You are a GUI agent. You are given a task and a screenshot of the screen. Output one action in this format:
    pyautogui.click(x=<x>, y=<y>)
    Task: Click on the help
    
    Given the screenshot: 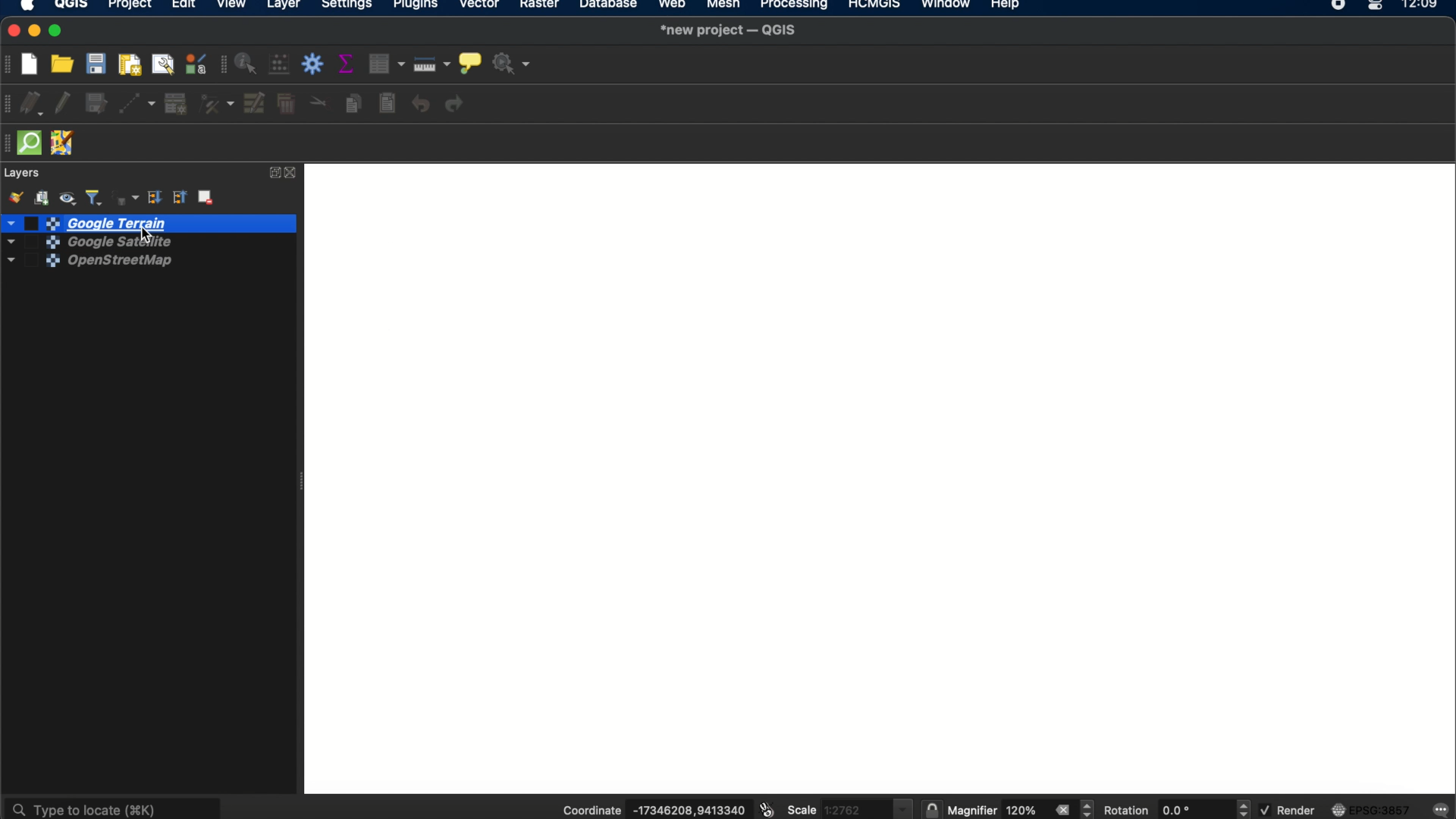 What is the action you would take?
    pyautogui.click(x=1008, y=7)
    